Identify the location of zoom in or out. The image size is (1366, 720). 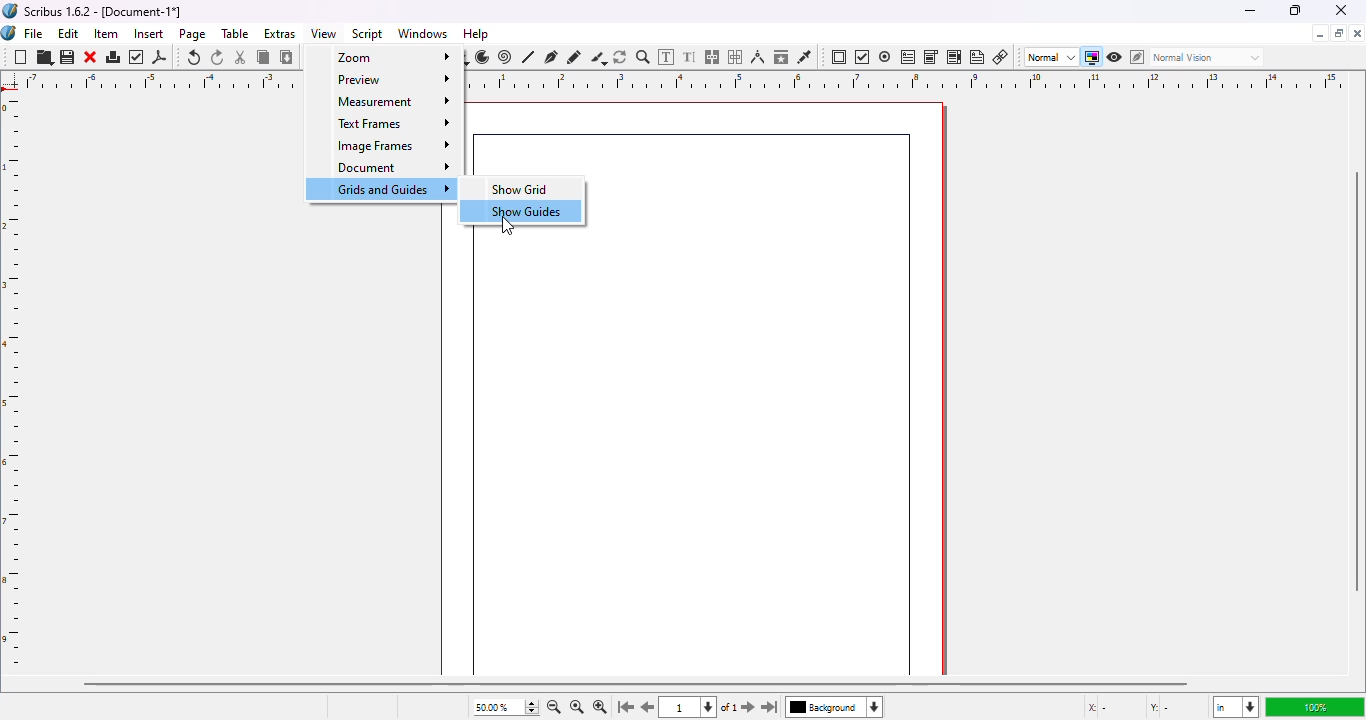
(643, 57).